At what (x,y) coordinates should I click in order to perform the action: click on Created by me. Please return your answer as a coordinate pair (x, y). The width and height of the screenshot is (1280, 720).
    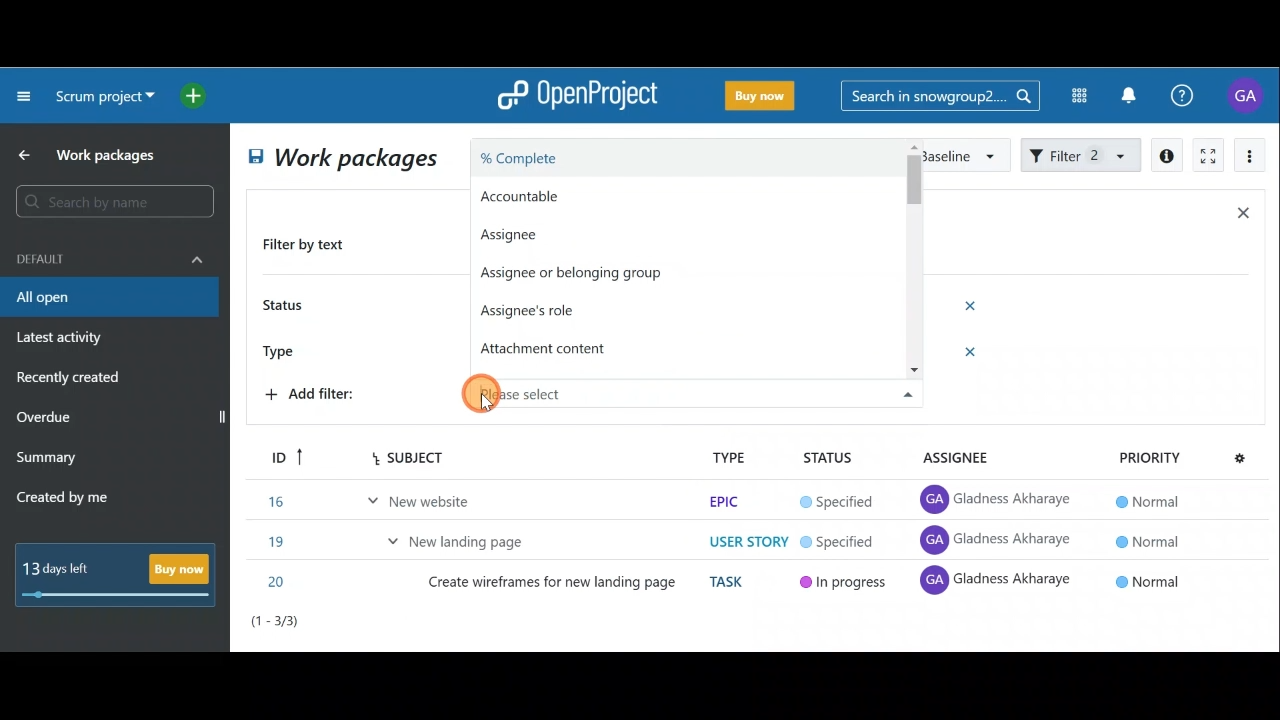
    Looking at the image, I should click on (74, 500).